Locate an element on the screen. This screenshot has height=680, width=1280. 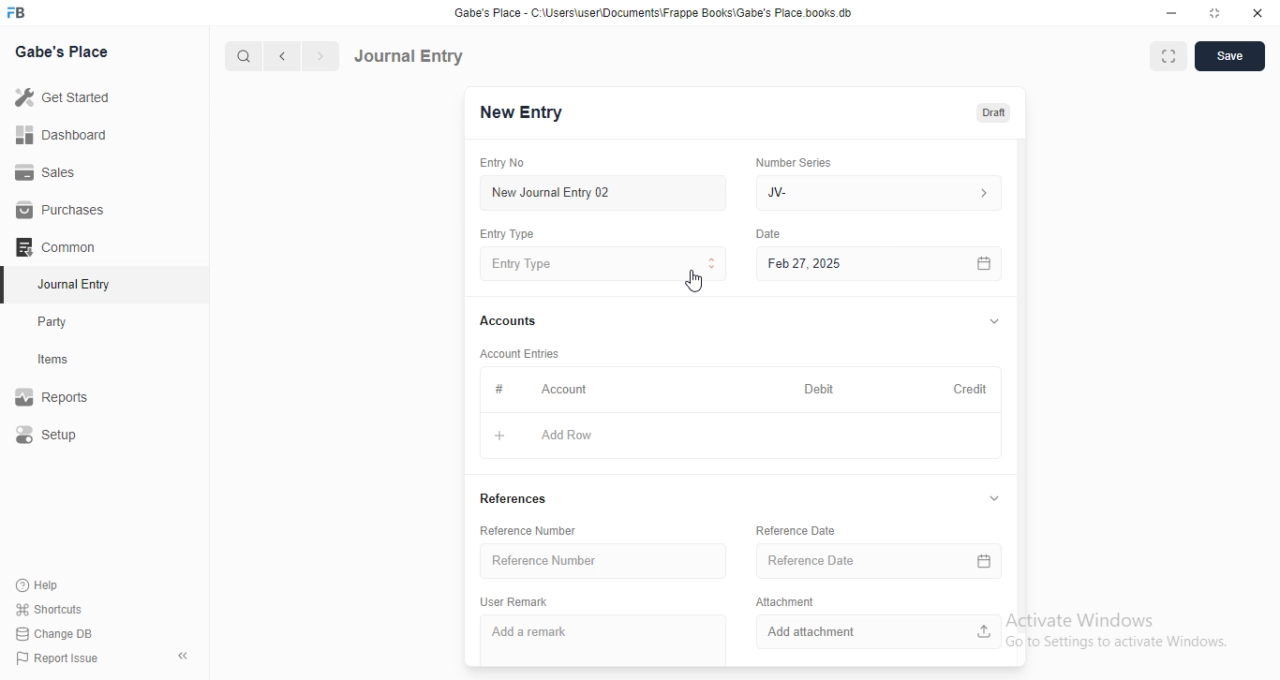
Close is located at coordinates (1254, 14).